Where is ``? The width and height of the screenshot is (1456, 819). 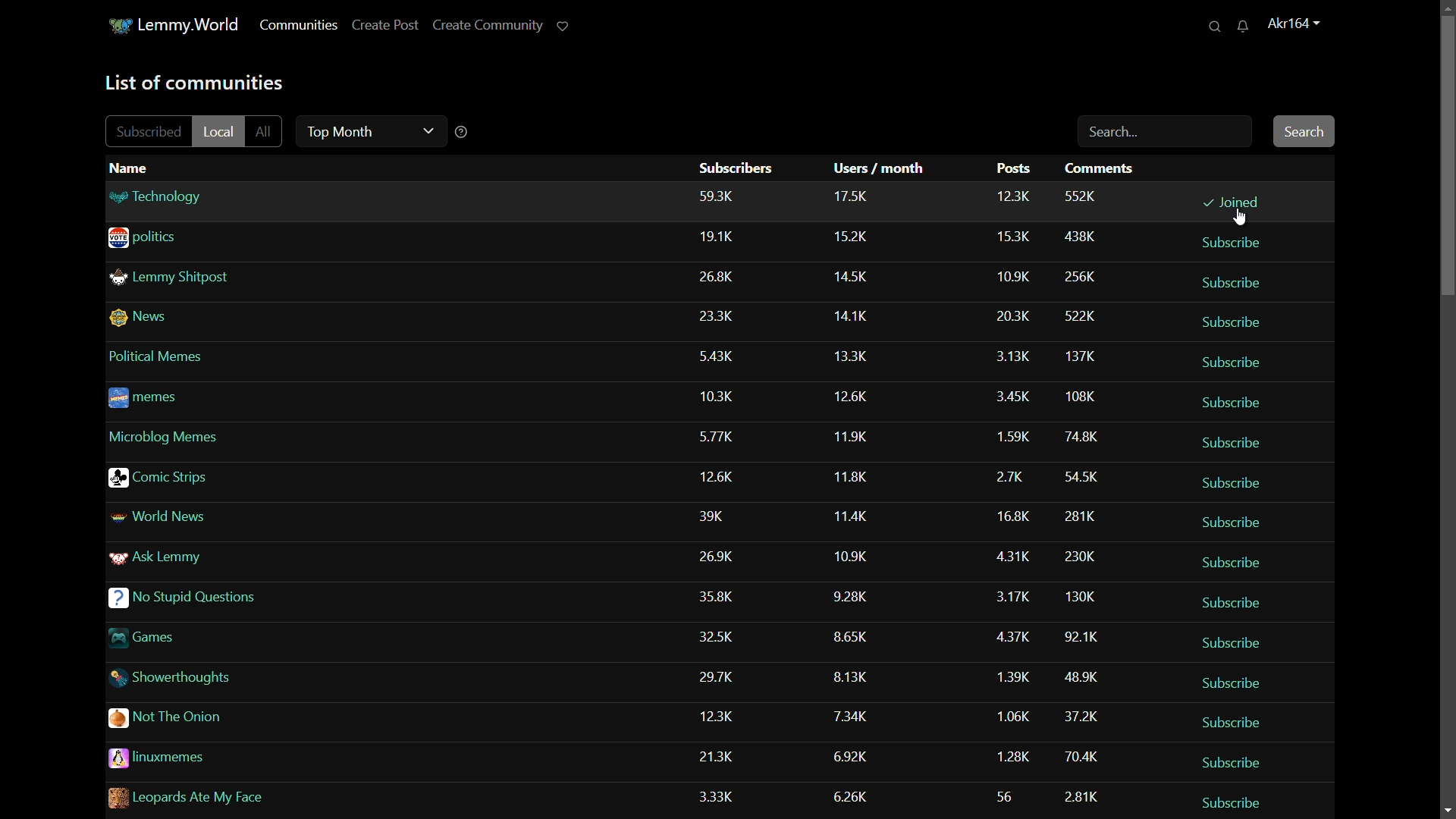
 is located at coordinates (726, 397).